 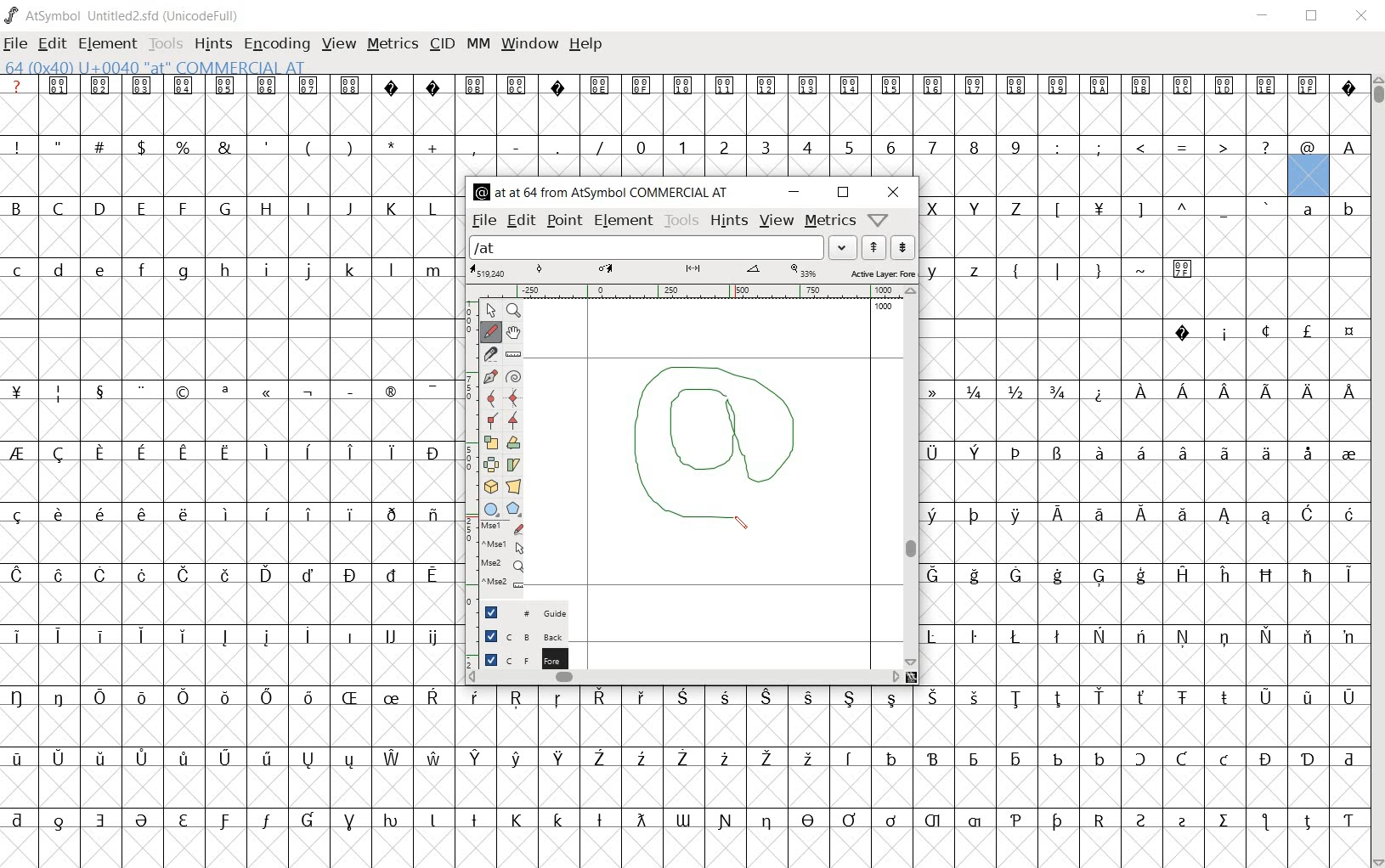 I want to click on tools, so click(x=681, y=221).